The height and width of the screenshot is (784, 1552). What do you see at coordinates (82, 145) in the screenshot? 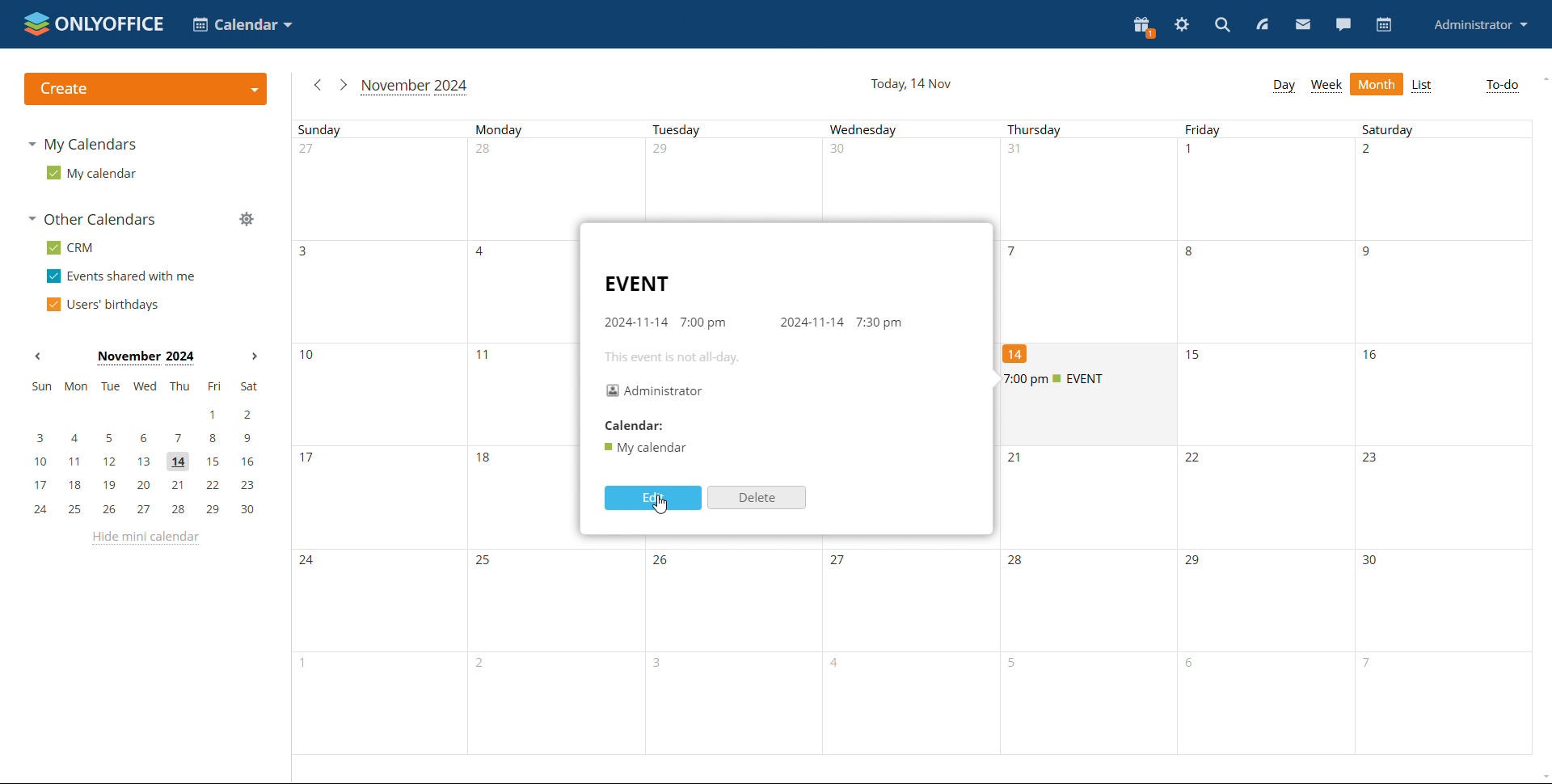
I see `my calendars` at bounding box center [82, 145].